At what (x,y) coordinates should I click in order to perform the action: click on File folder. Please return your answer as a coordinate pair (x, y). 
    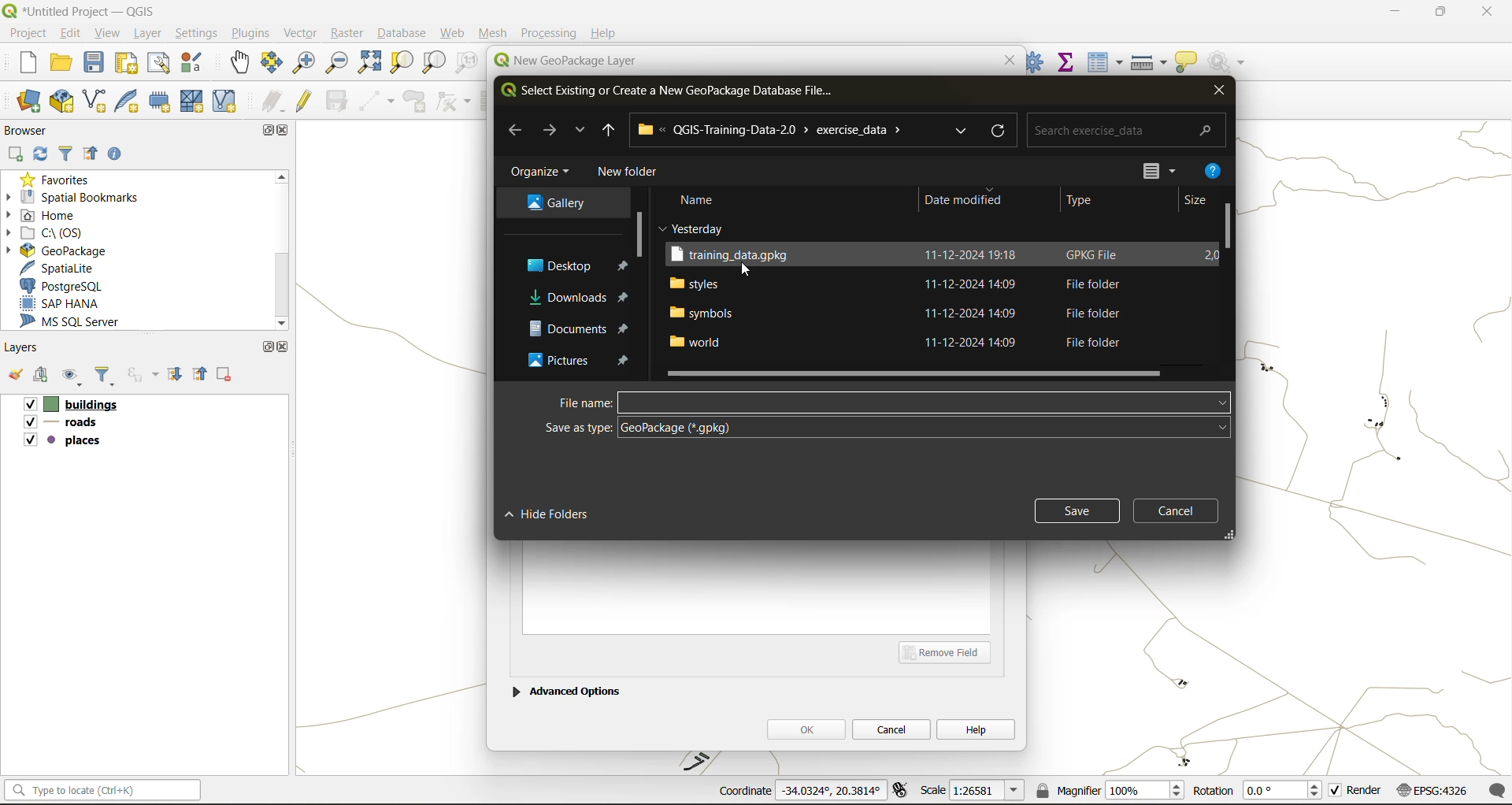
    Looking at the image, I should click on (1089, 284).